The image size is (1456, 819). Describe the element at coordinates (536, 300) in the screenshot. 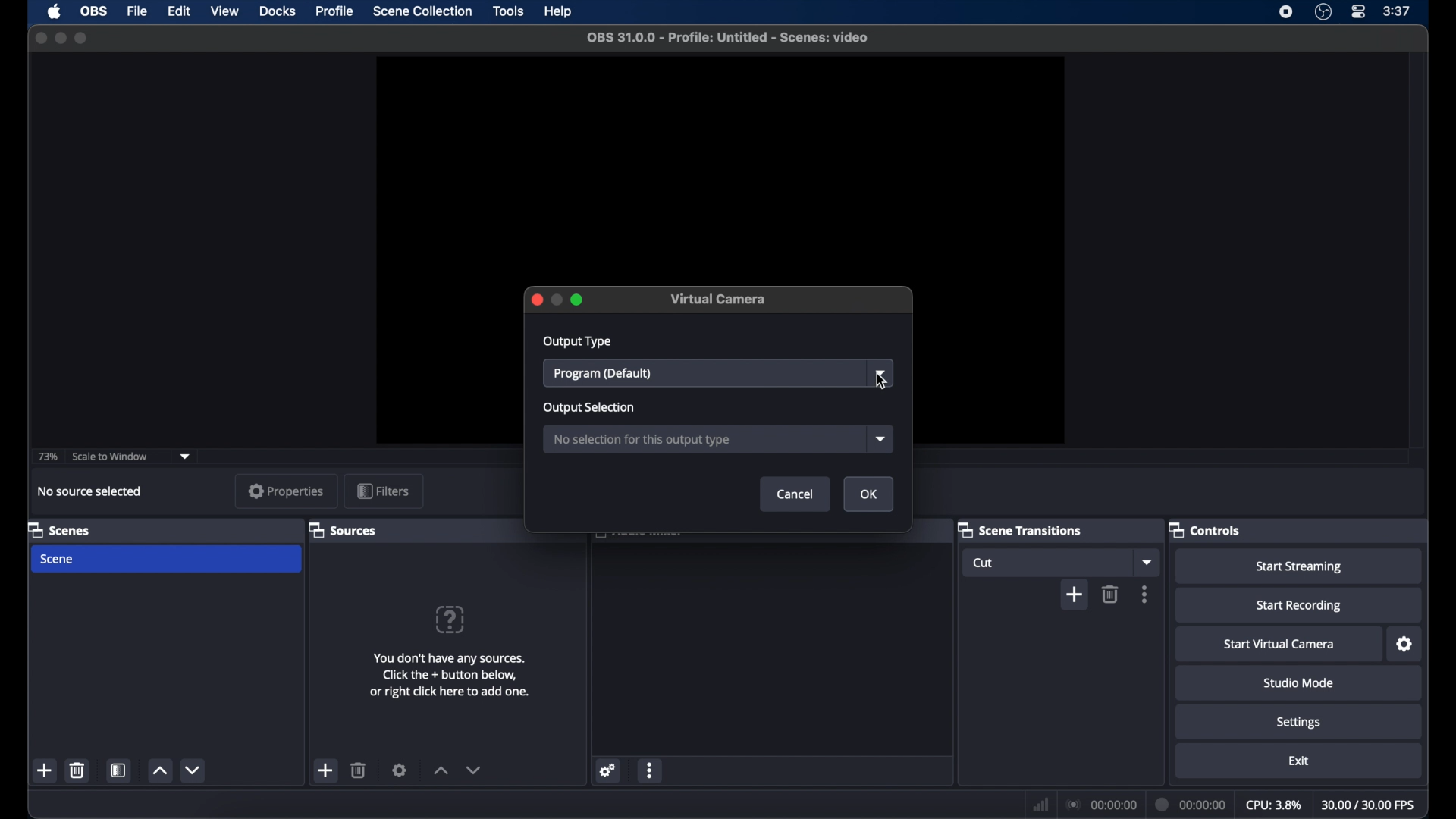

I see `close` at that location.